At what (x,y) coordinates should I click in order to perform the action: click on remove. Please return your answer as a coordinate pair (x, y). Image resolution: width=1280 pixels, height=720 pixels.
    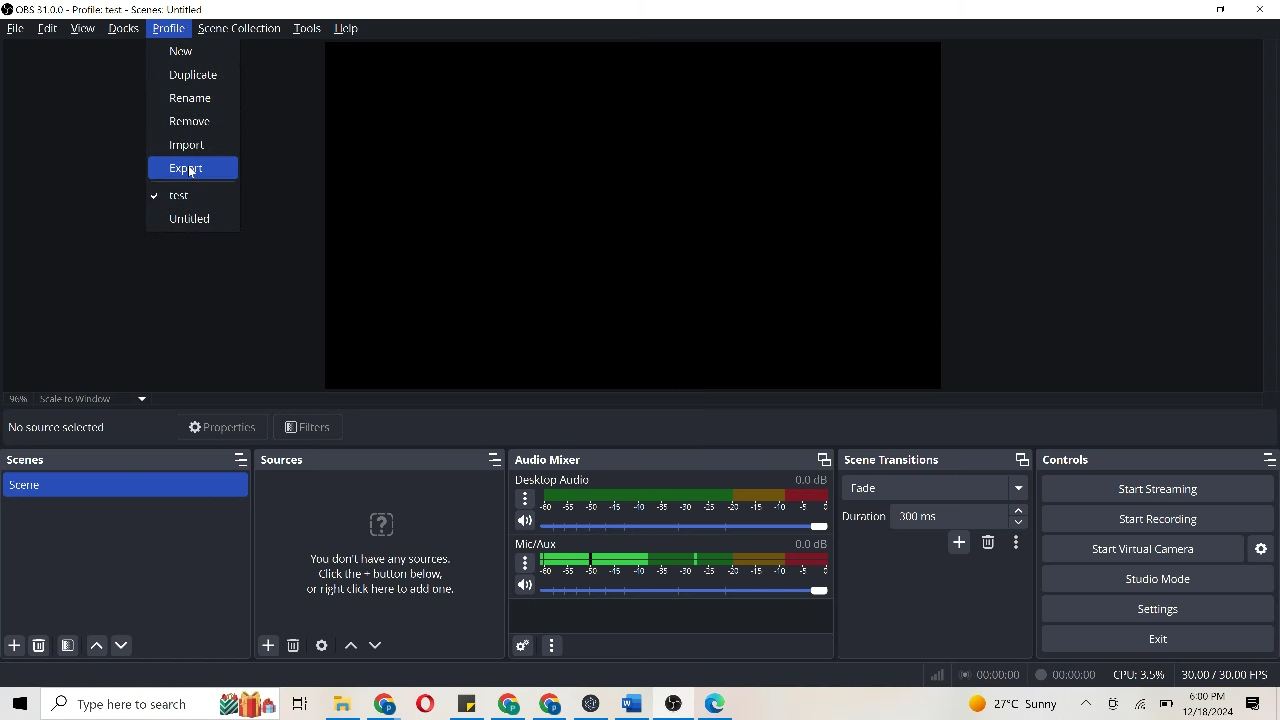
    Looking at the image, I should click on (992, 545).